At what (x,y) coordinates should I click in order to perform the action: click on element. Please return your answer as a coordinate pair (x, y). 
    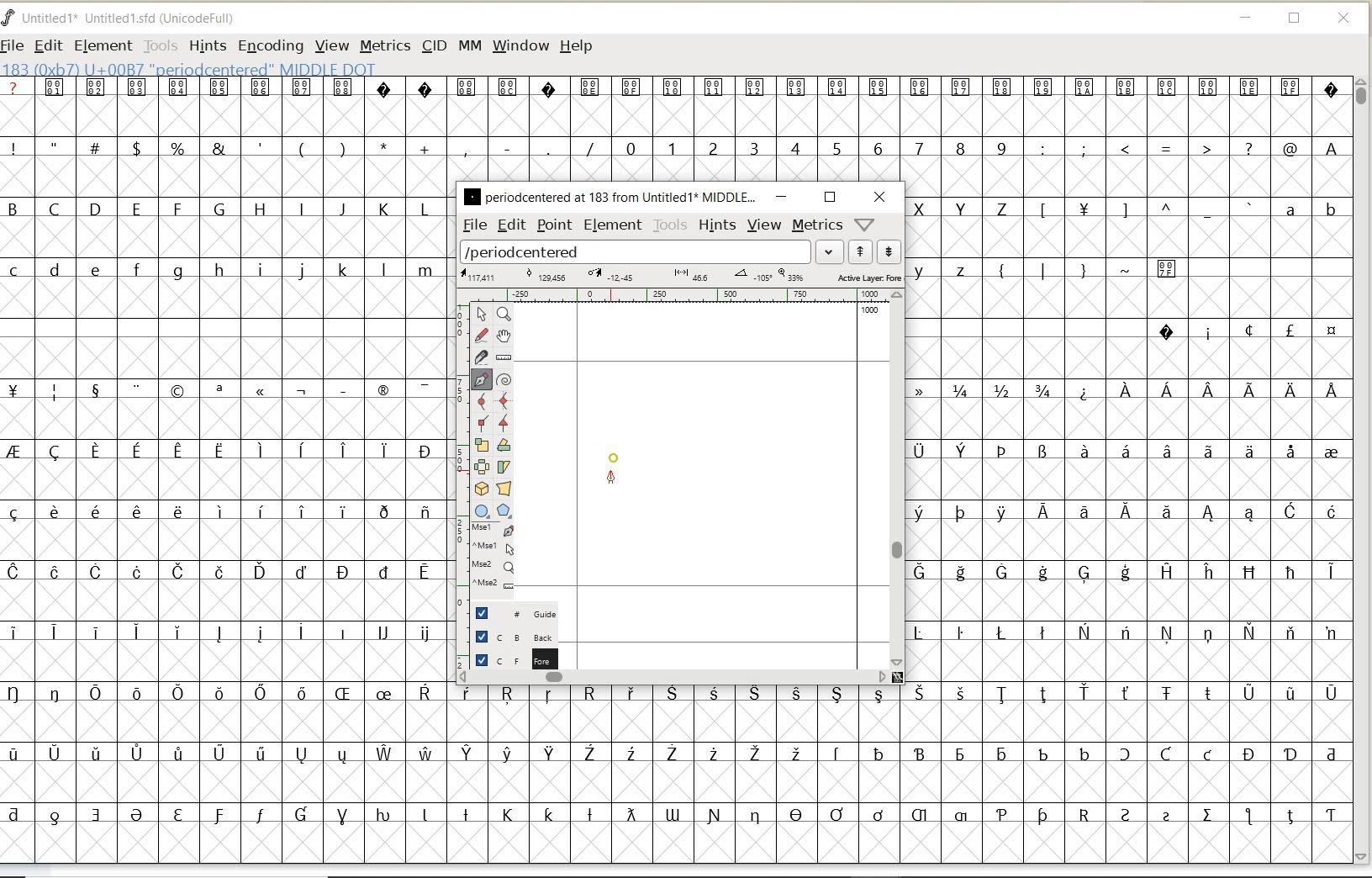
    Looking at the image, I should click on (610, 225).